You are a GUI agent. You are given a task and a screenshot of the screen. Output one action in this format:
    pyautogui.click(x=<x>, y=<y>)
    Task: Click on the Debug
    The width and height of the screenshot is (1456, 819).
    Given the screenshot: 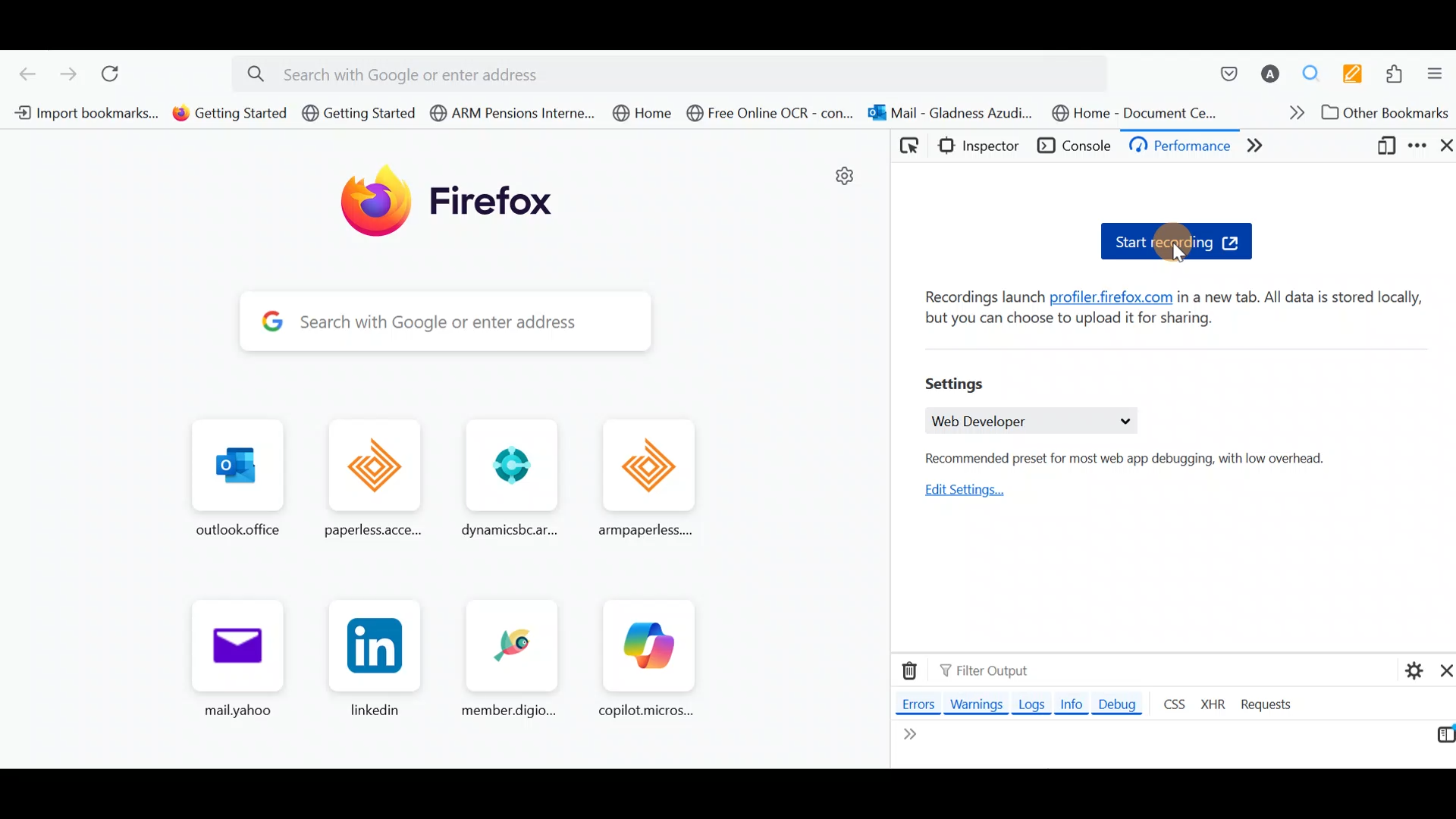 What is the action you would take?
    pyautogui.click(x=1123, y=704)
    